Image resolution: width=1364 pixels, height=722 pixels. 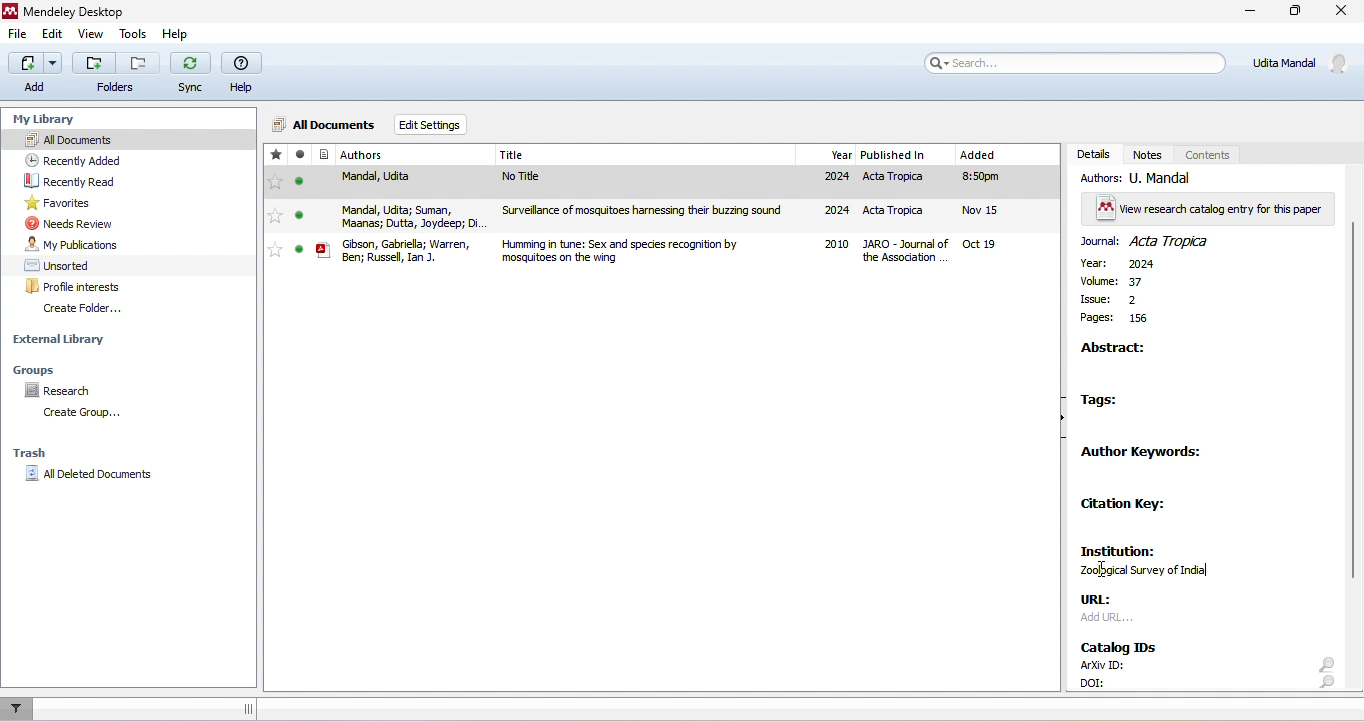 What do you see at coordinates (75, 244) in the screenshot?
I see `my publications` at bounding box center [75, 244].